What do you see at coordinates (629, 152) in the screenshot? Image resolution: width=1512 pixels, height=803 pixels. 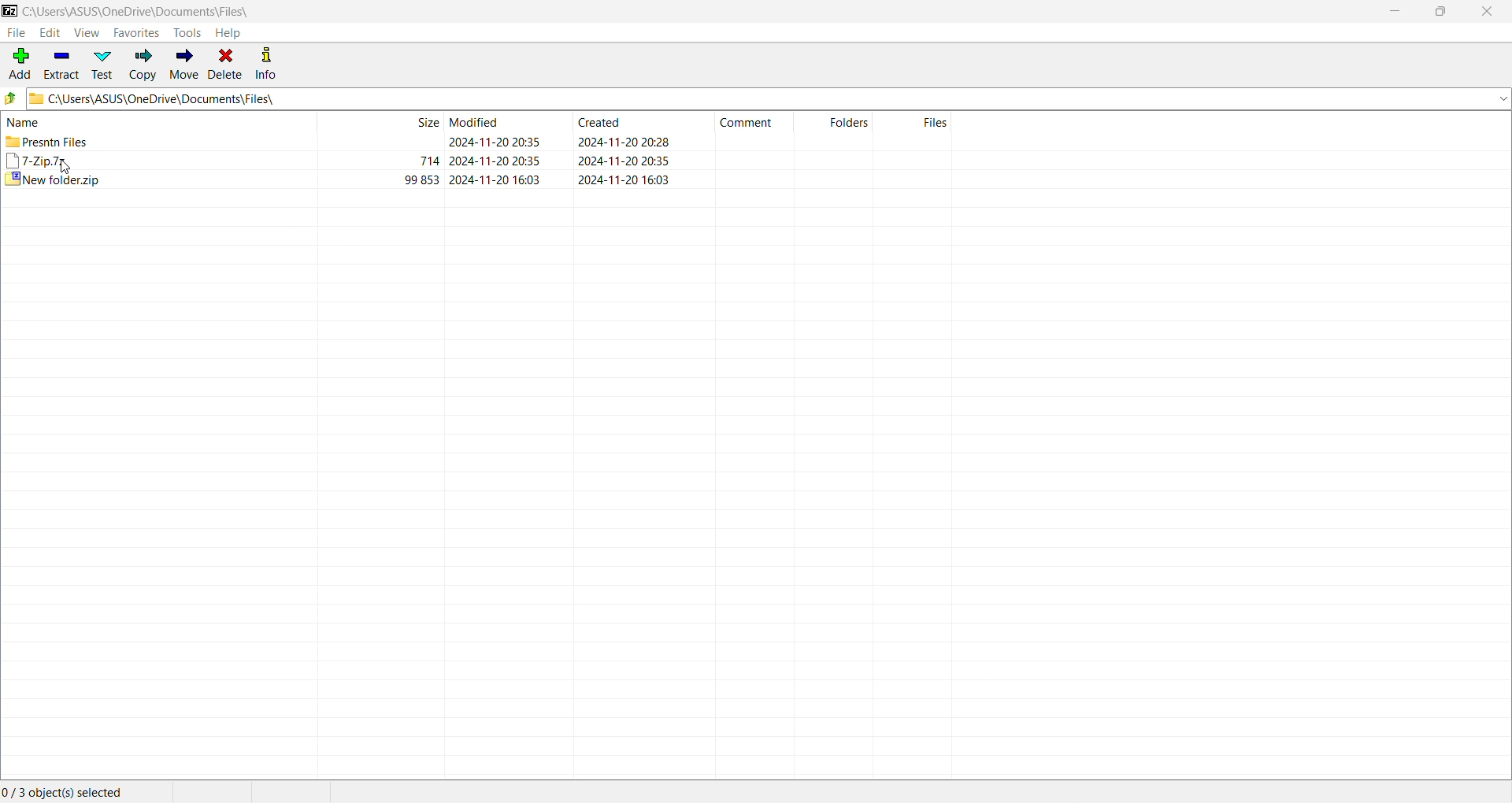 I see `Created` at bounding box center [629, 152].